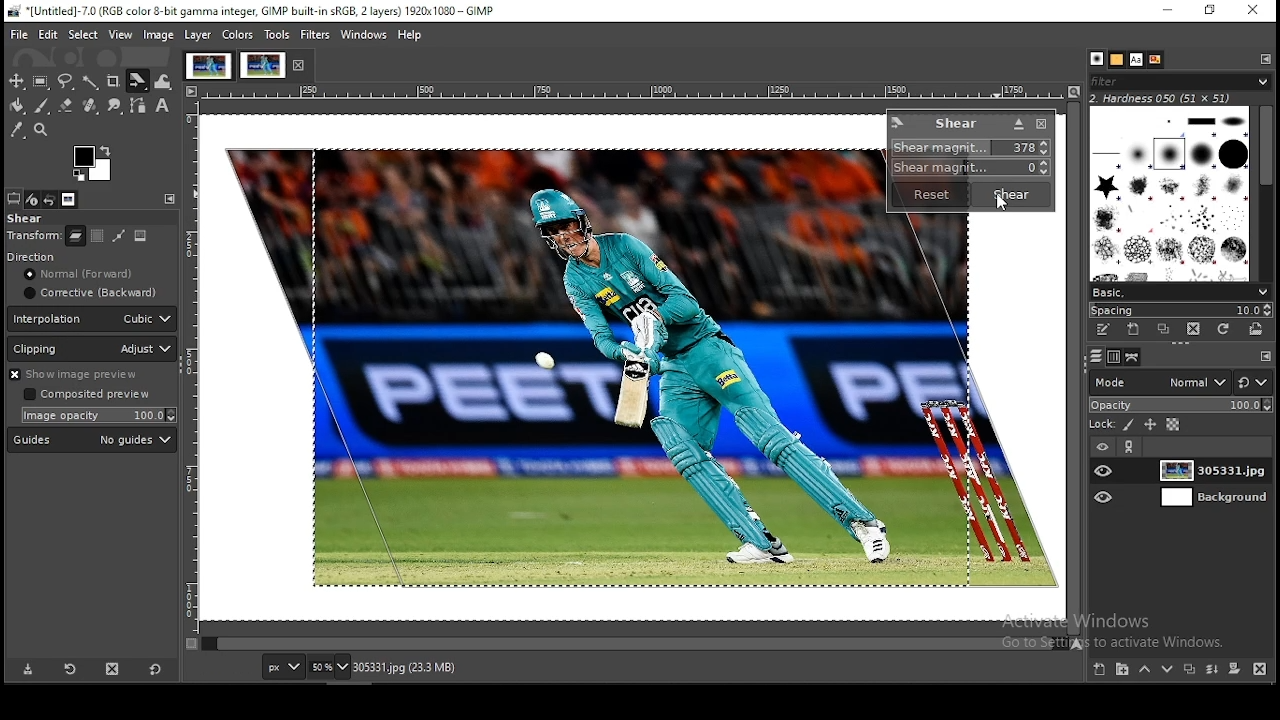 This screenshot has width=1280, height=720. Describe the element at coordinates (1266, 359) in the screenshot. I see `configure this tab` at that location.